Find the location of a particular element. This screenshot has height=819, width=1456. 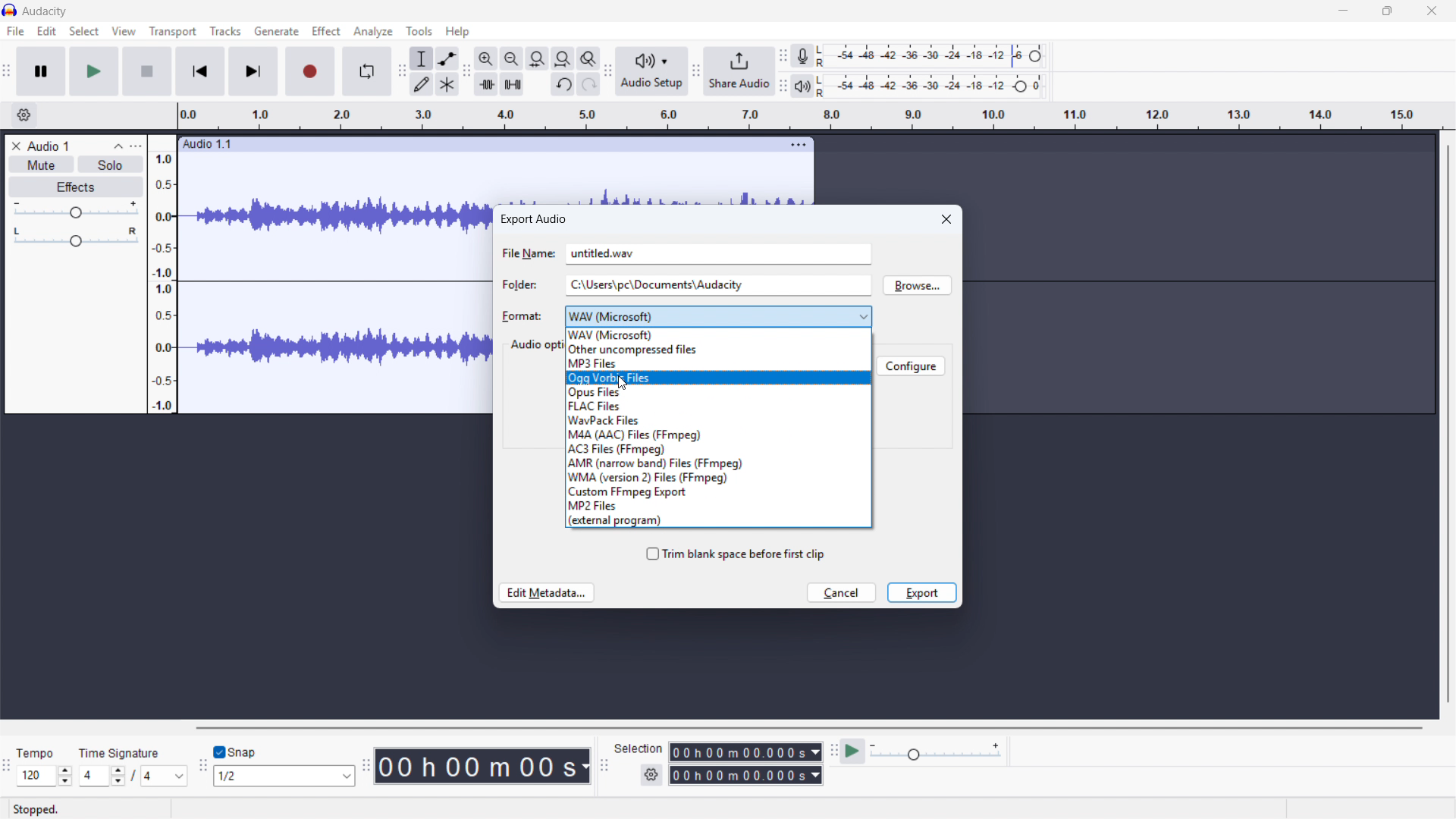

Audacity time toolbar  is located at coordinates (366, 765).